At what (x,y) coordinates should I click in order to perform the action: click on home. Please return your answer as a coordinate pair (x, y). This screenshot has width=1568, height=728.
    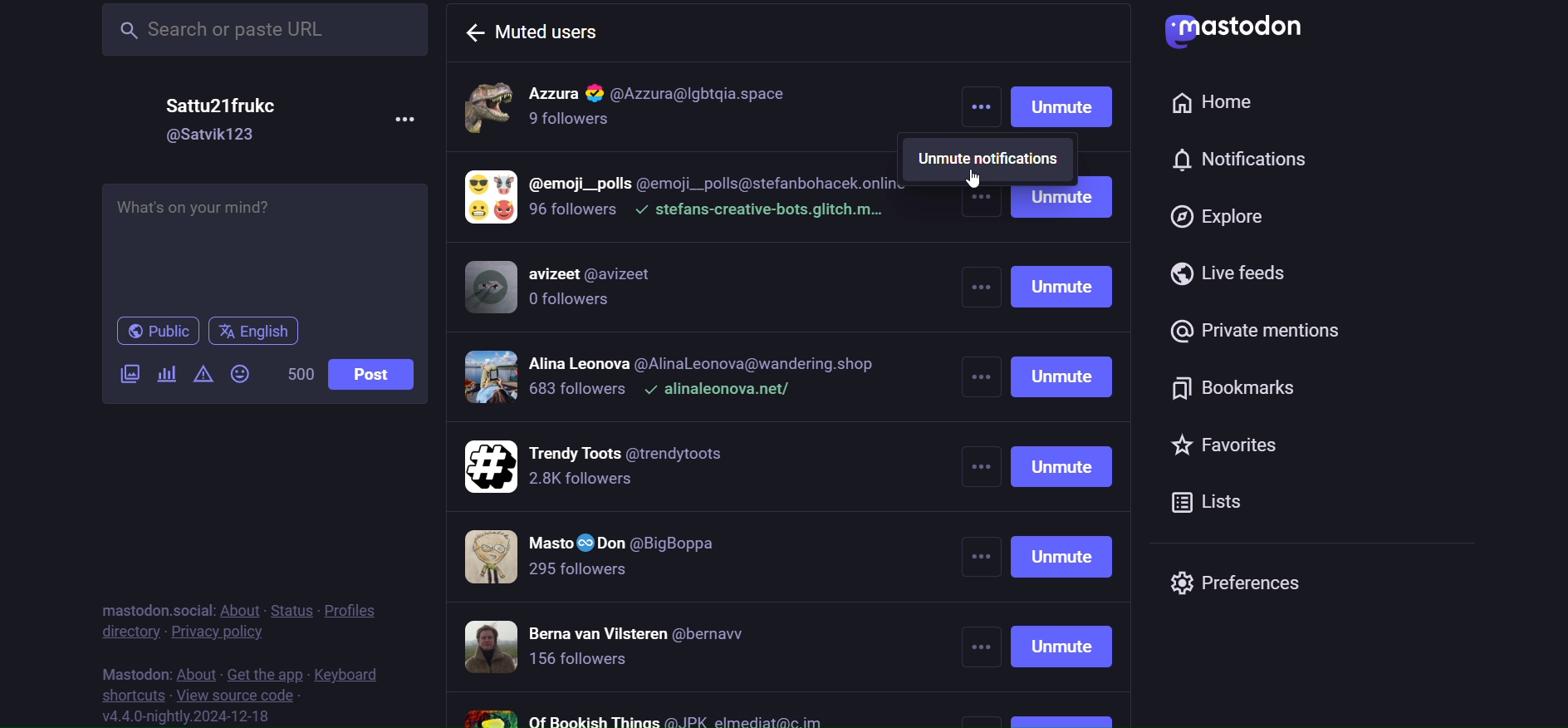
    Looking at the image, I should click on (1224, 102).